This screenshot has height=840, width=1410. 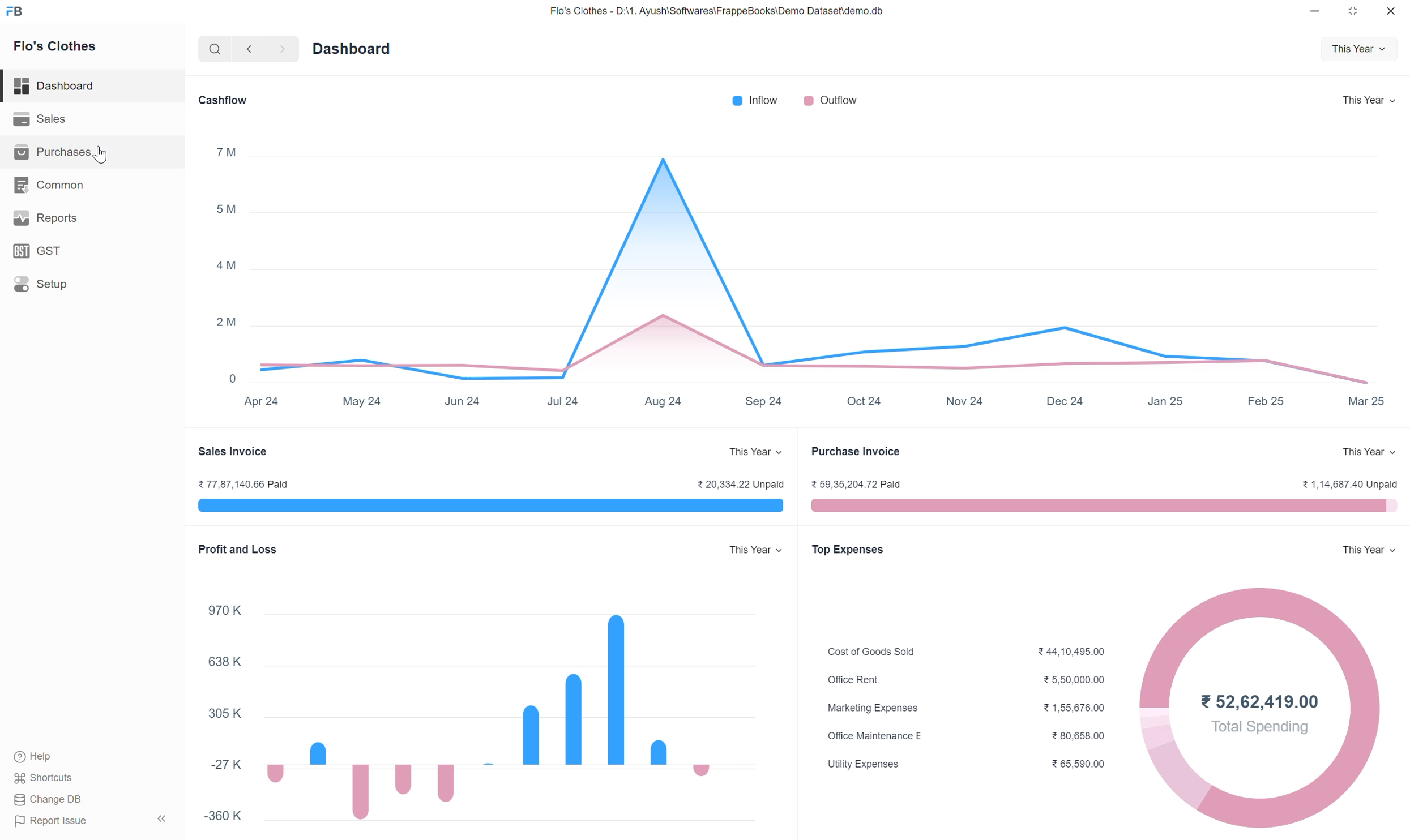 What do you see at coordinates (48, 799) in the screenshot?
I see `change DB` at bounding box center [48, 799].